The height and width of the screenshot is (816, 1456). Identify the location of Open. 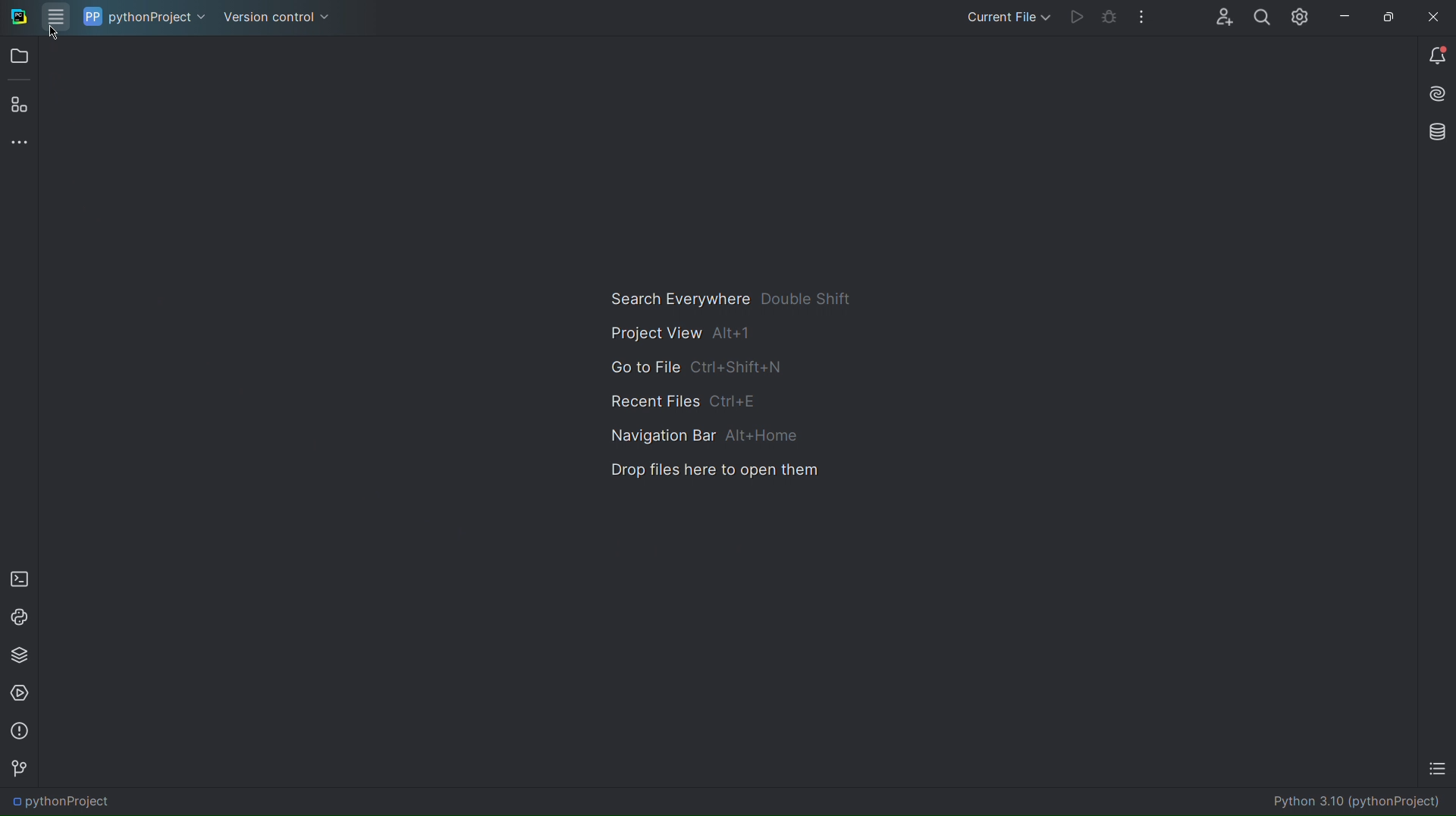
(21, 58).